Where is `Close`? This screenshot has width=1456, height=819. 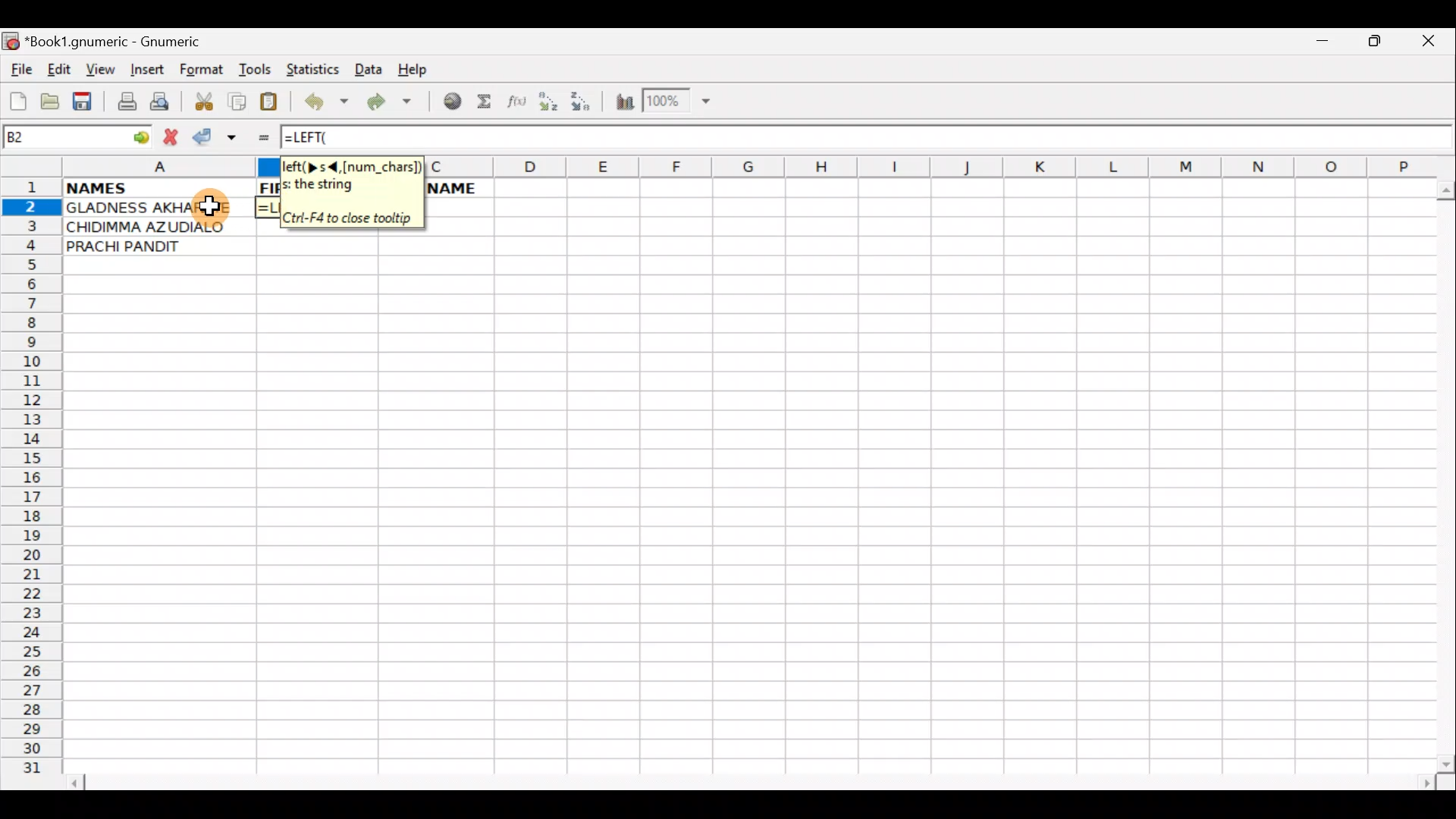
Close is located at coordinates (1432, 45).